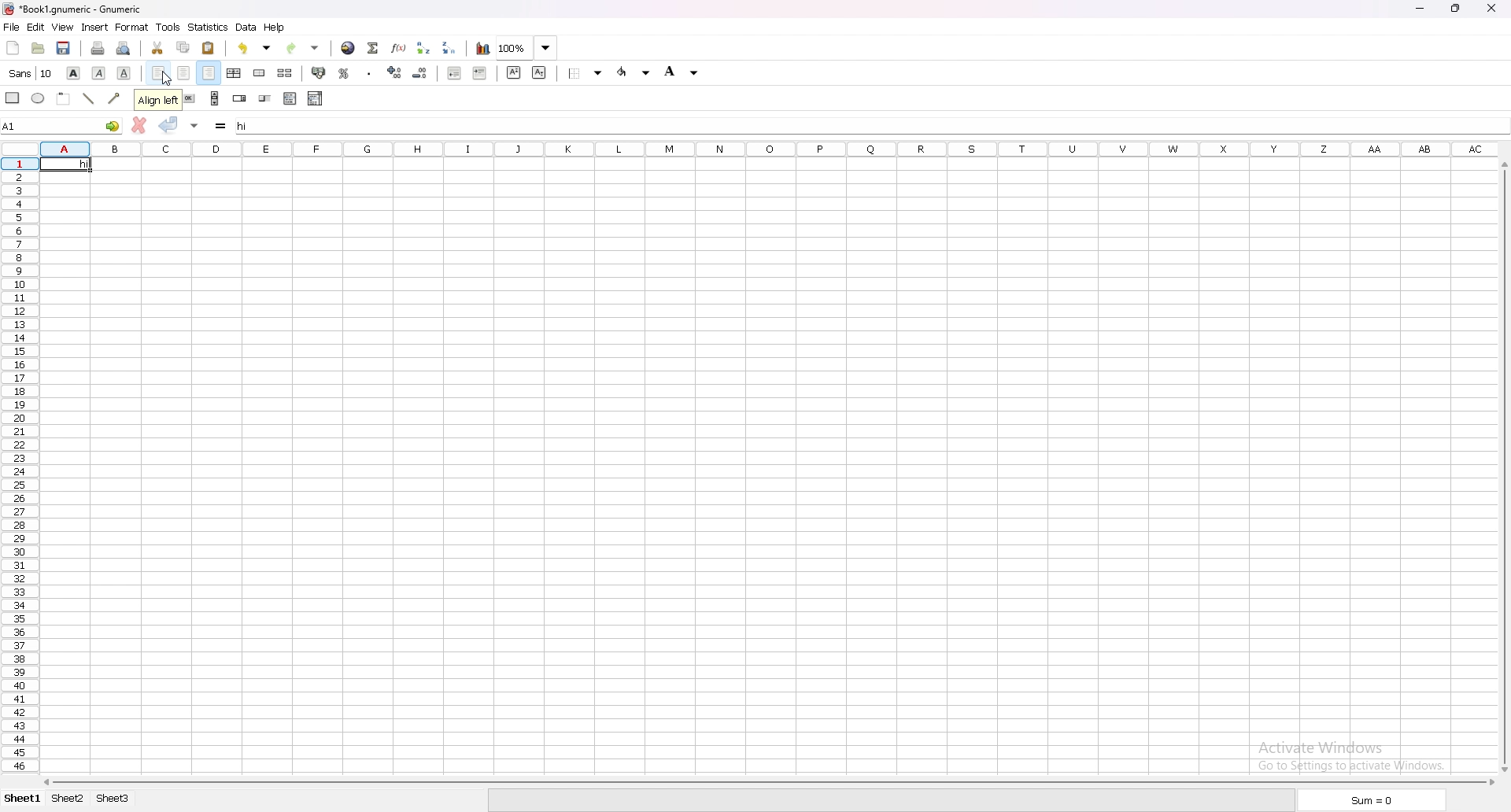 The height and width of the screenshot is (812, 1511). Describe the element at coordinates (39, 98) in the screenshot. I see `ellipse` at that location.